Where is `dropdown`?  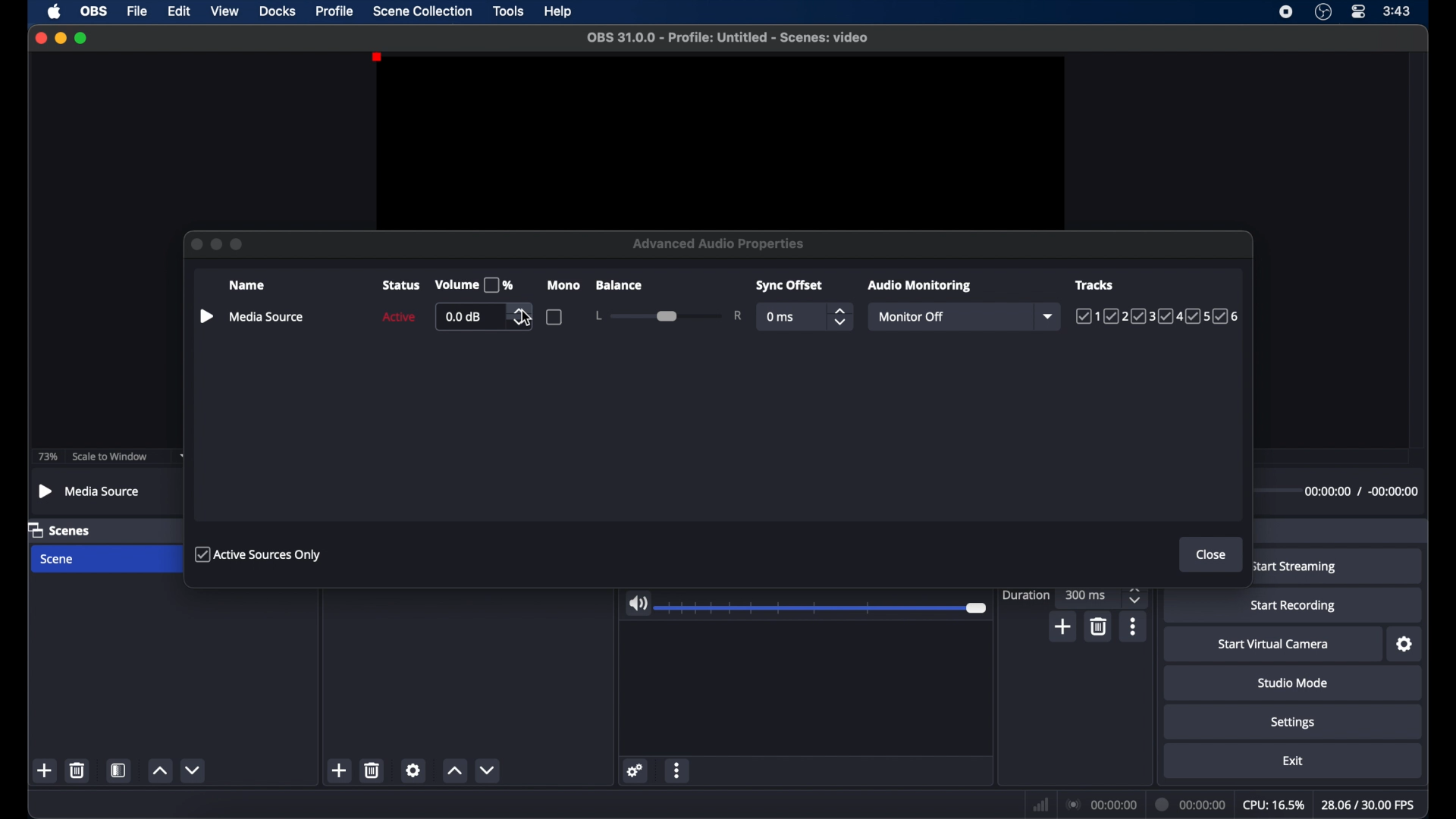
dropdown is located at coordinates (185, 457).